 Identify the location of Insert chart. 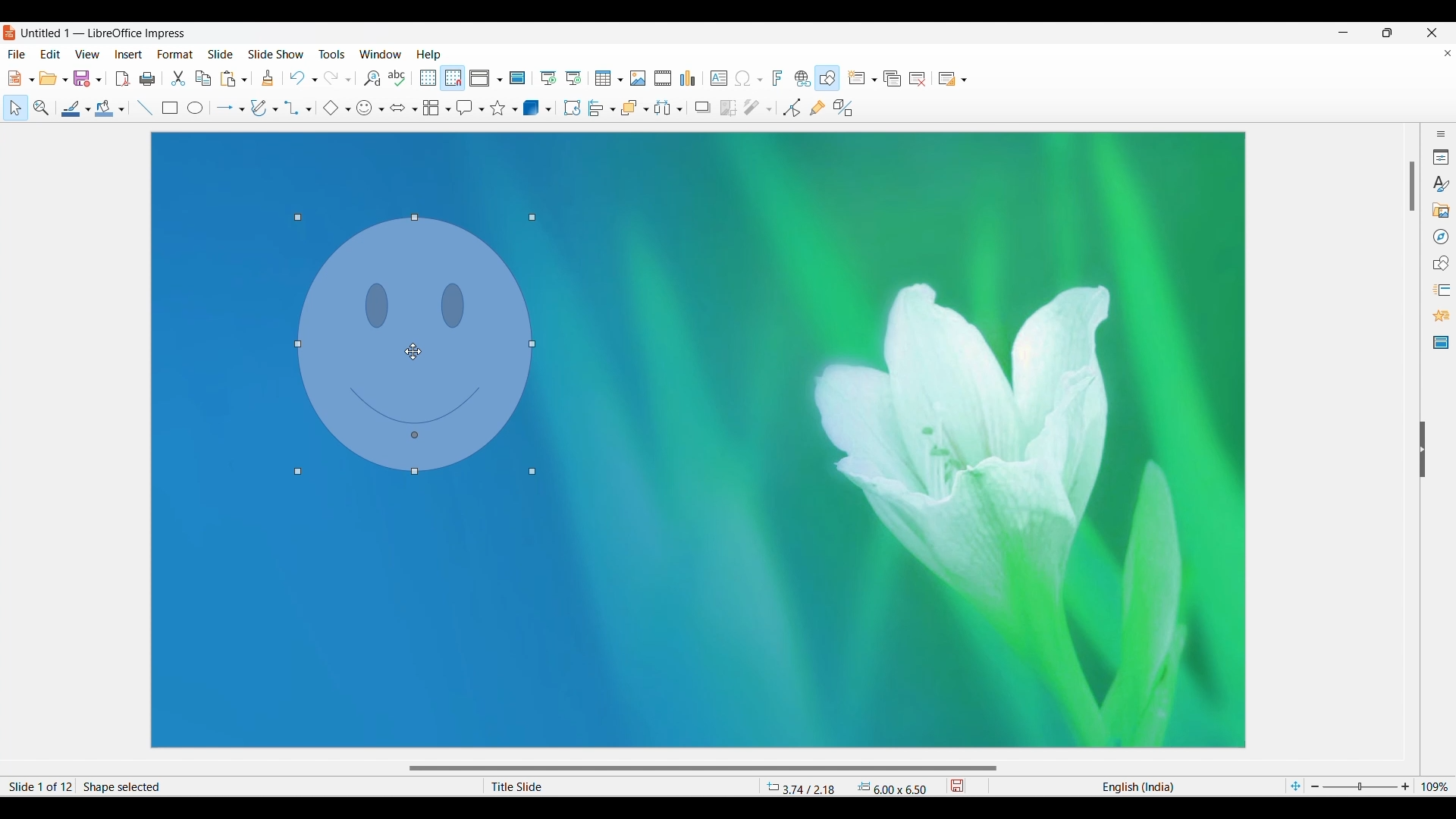
(688, 78).